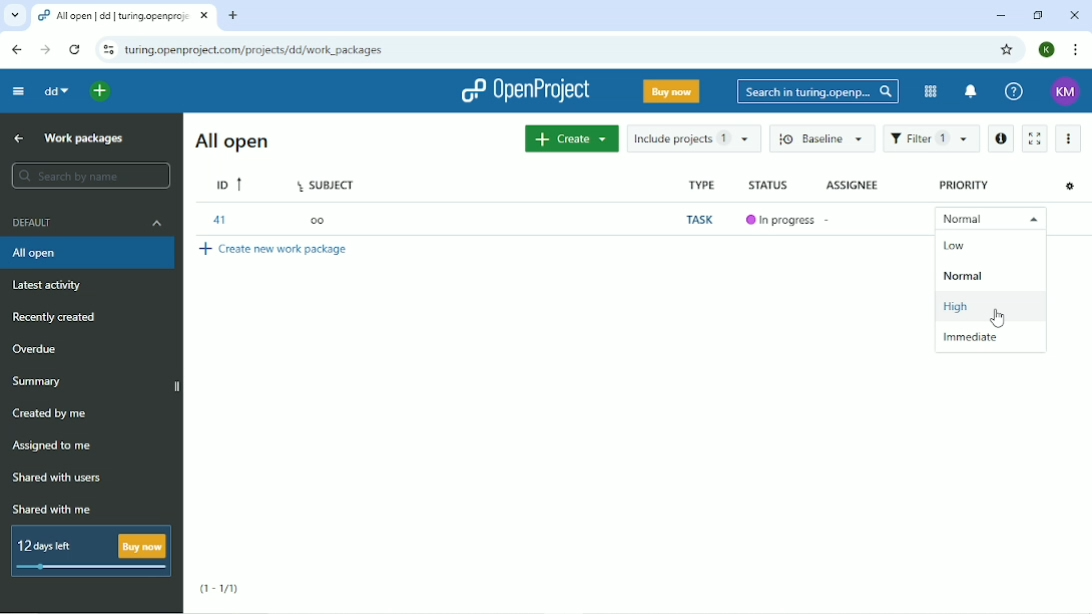  Describe the element at coordinates (91, 176) in the screenshot. I see `Search by name` at that location.